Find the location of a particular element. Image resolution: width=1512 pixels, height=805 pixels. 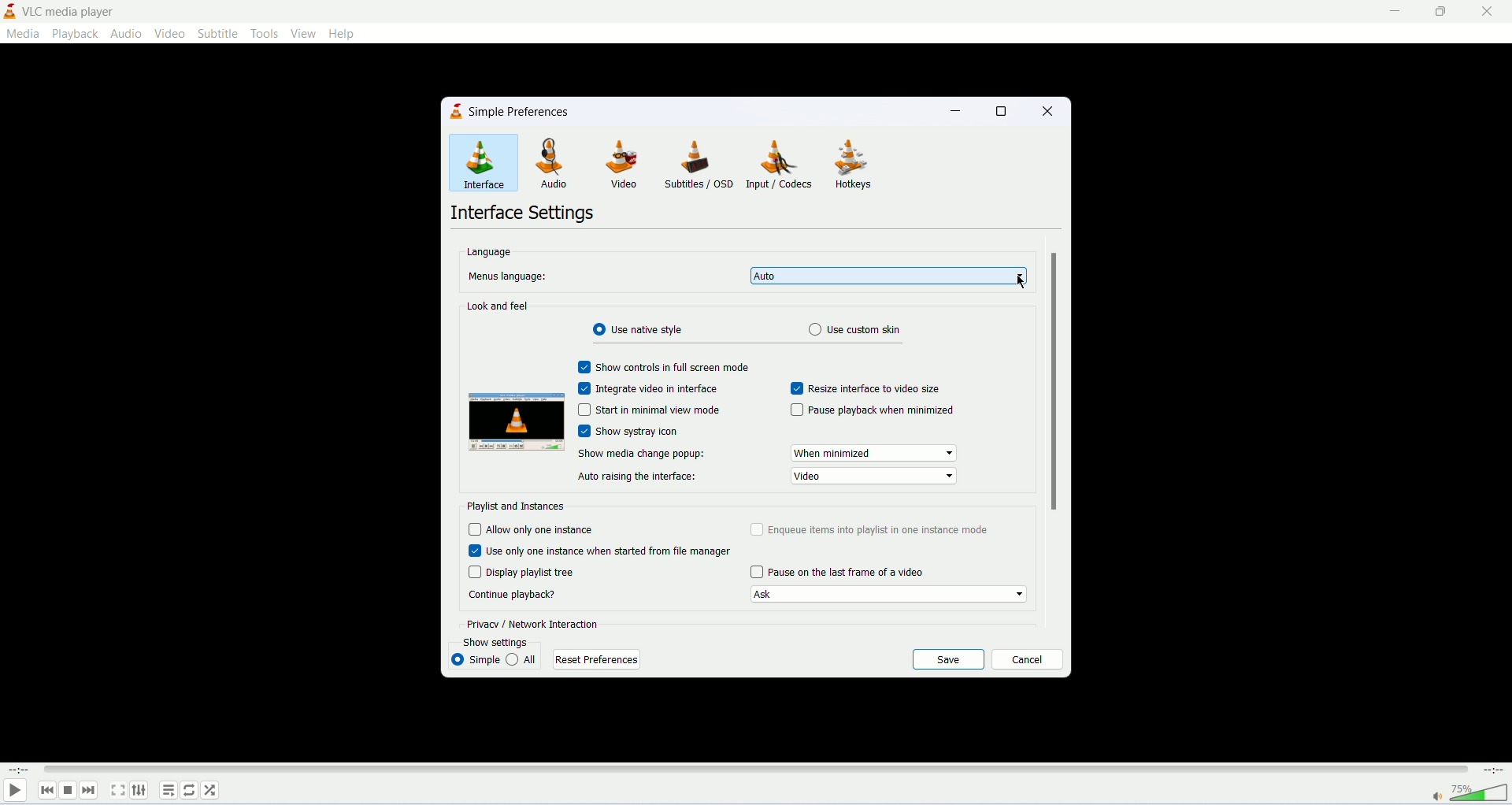

next is located at coordinates (88, 790).